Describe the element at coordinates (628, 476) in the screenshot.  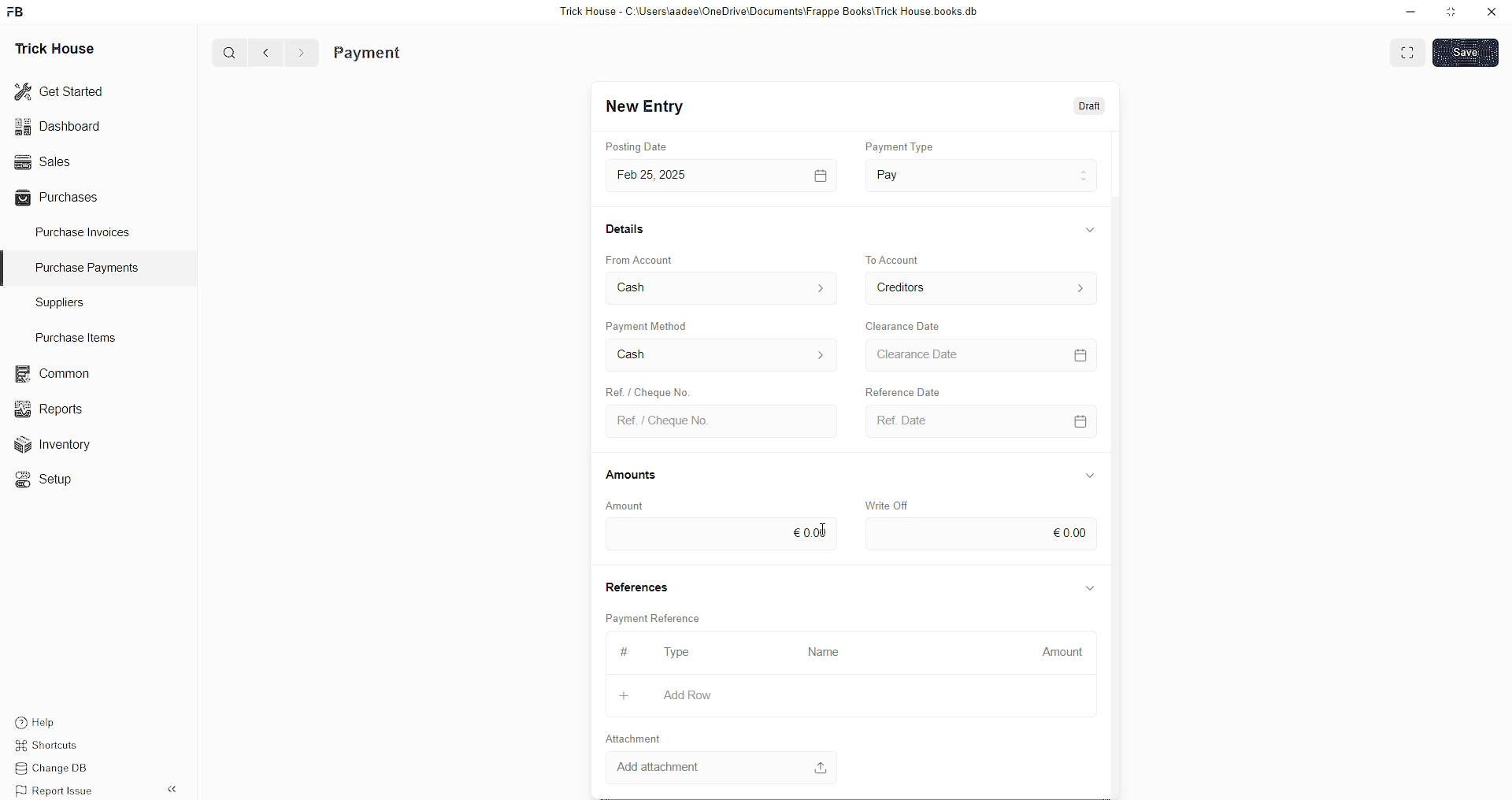
I see `Amounts` at that location.